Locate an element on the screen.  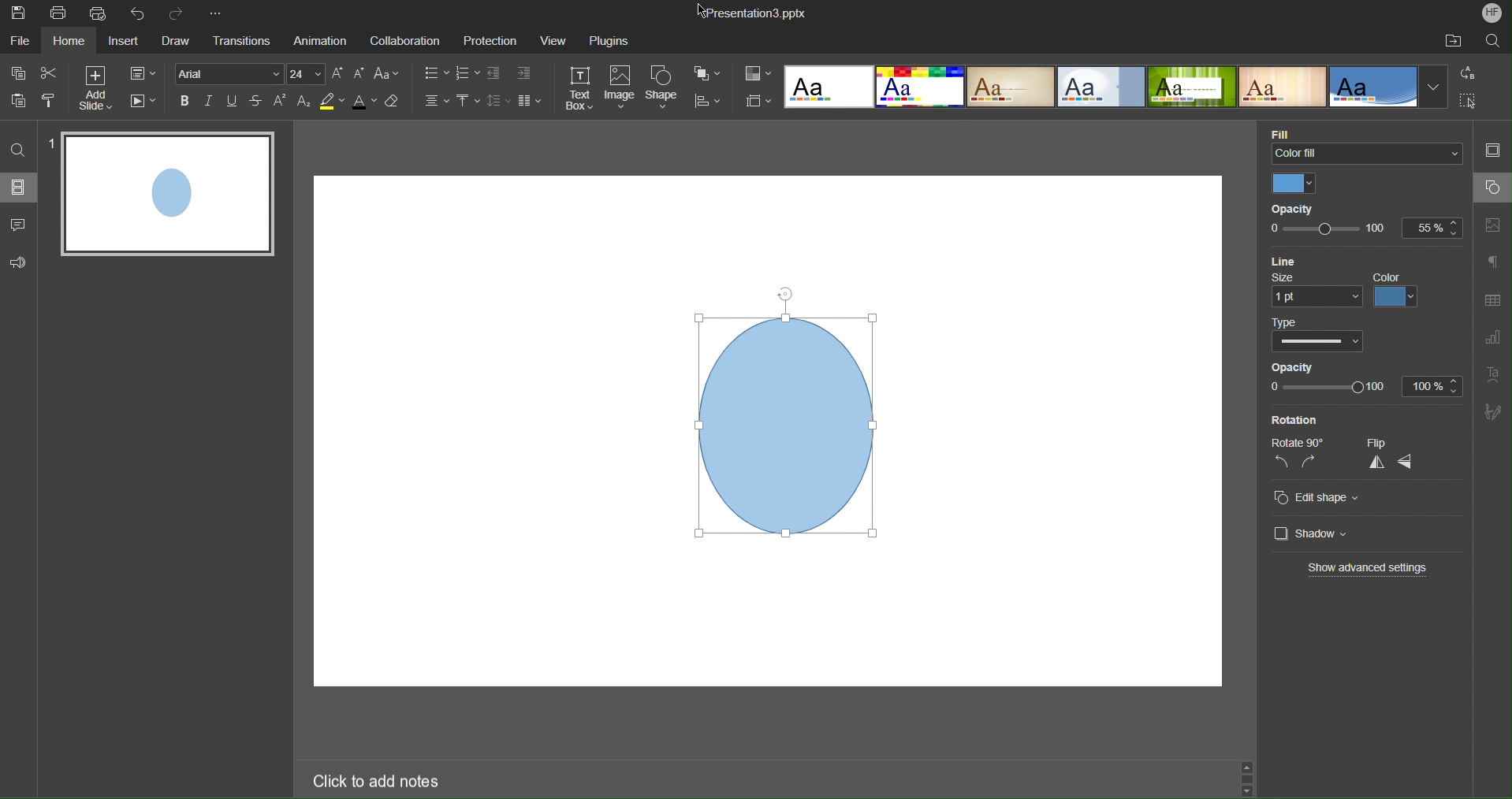
Type is located at coordinates (1315, 336).